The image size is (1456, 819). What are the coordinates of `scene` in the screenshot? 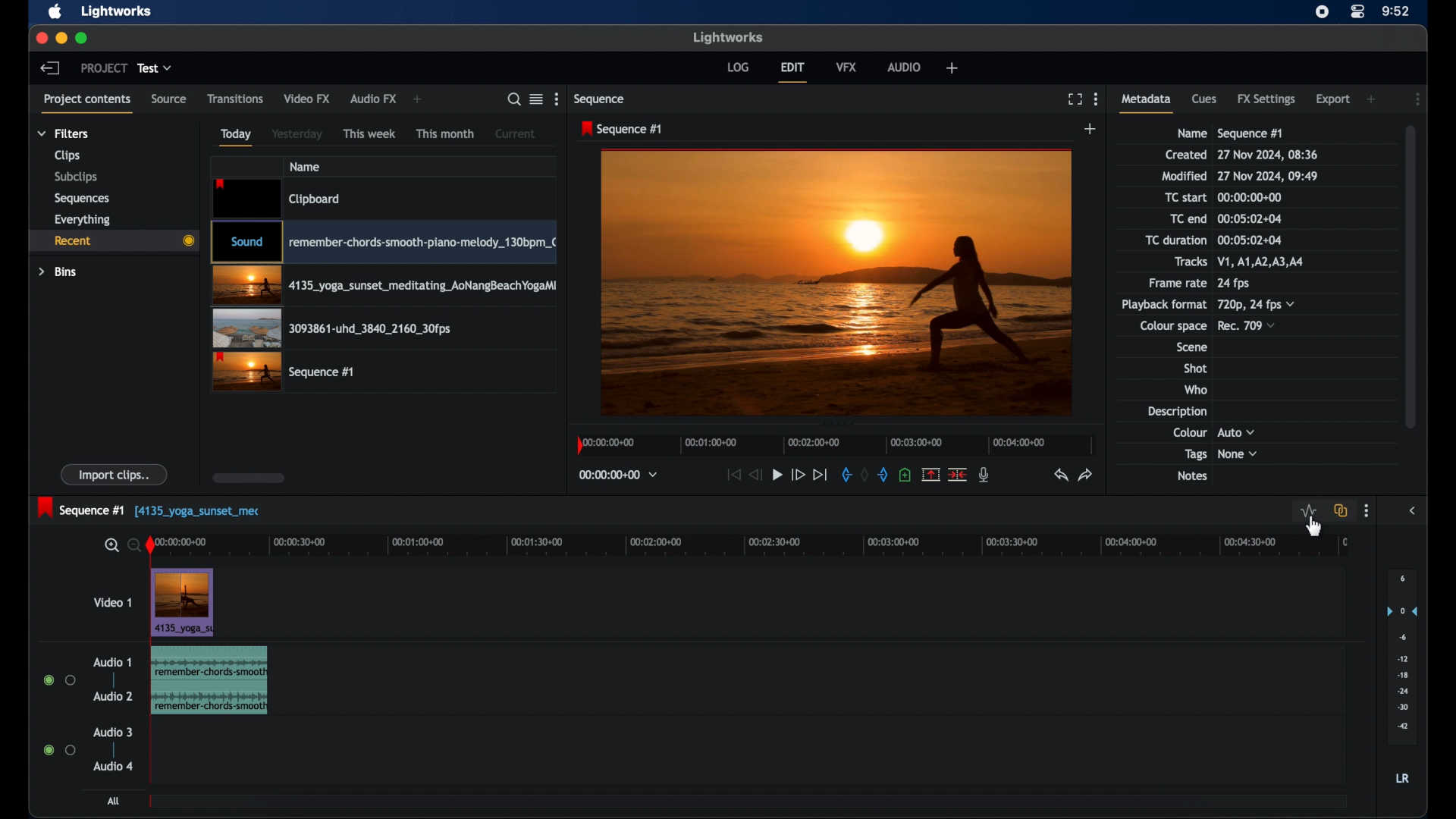 It's located at (1191, 347).